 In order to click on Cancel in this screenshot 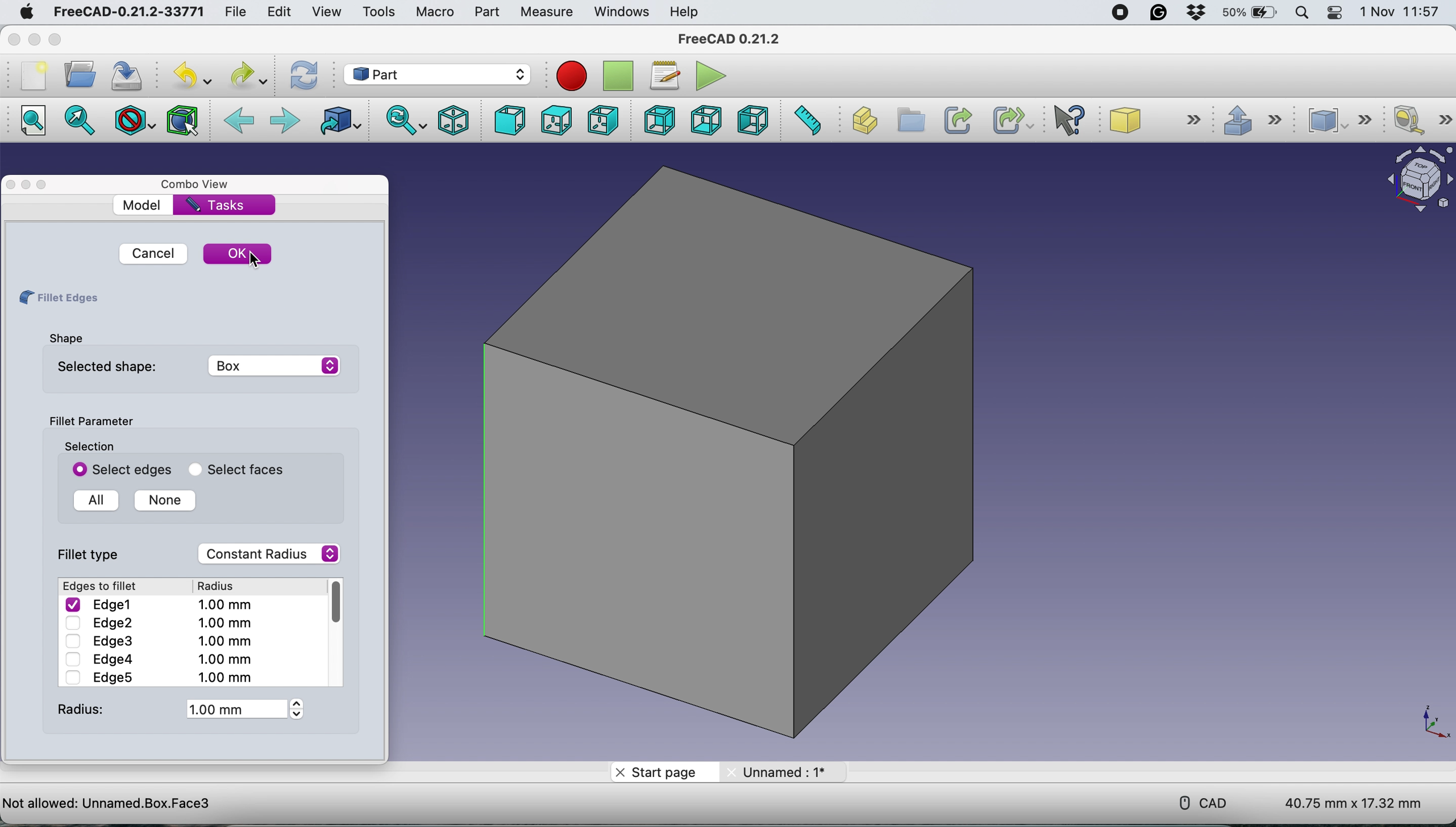, I will do `click(149, 253)`.